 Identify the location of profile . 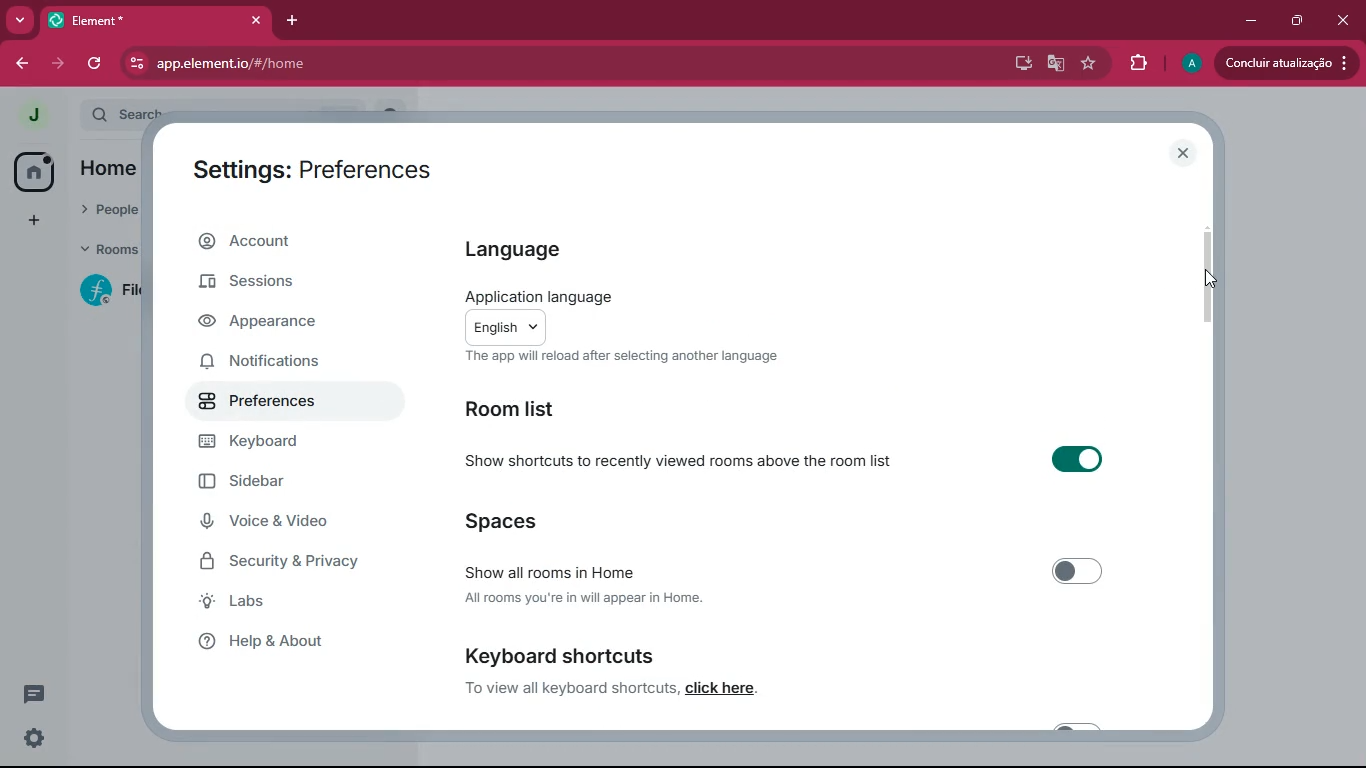
(1186, 64).